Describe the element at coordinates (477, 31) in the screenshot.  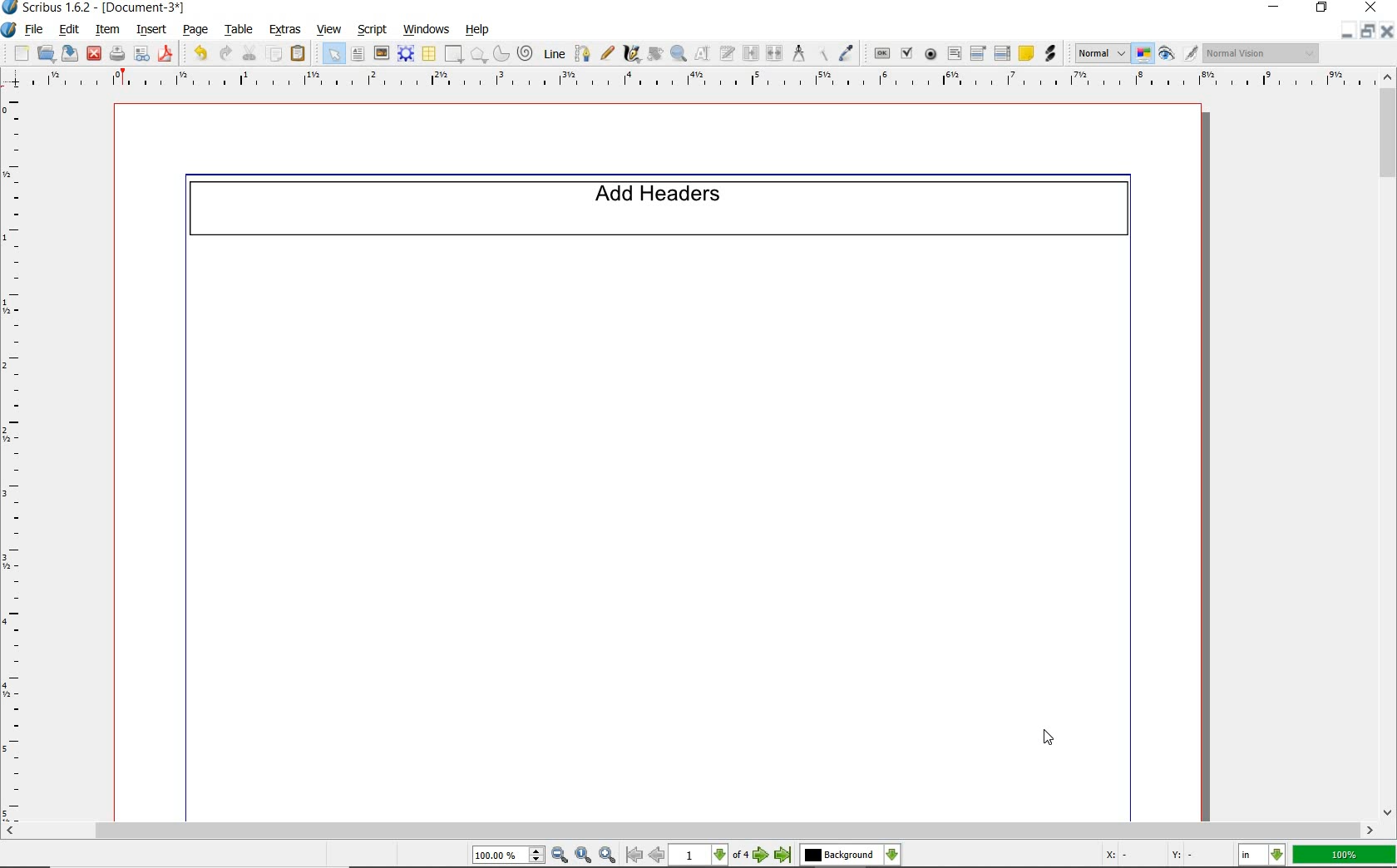
I see `help` at that location.